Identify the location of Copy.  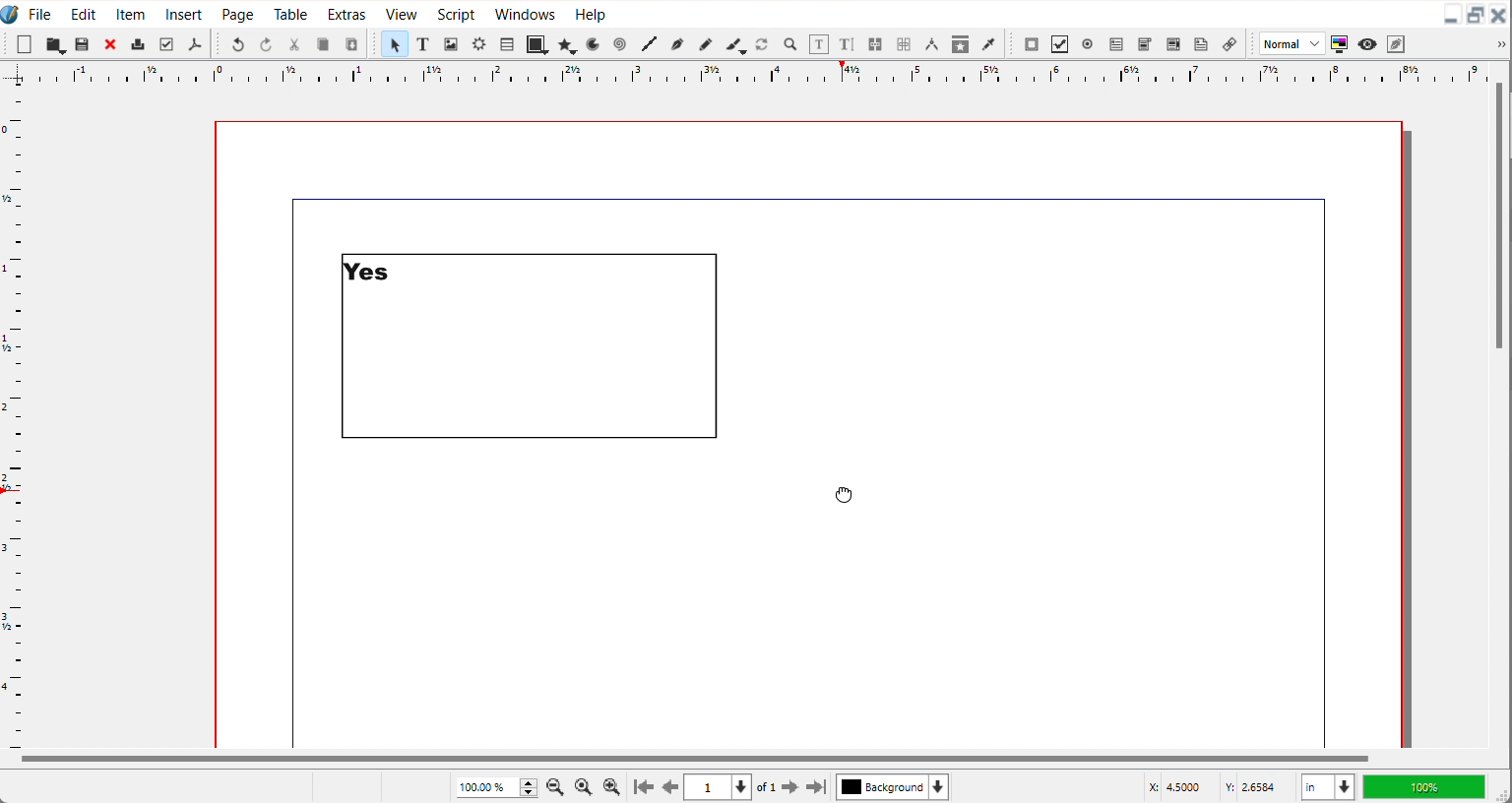
(323, 44).